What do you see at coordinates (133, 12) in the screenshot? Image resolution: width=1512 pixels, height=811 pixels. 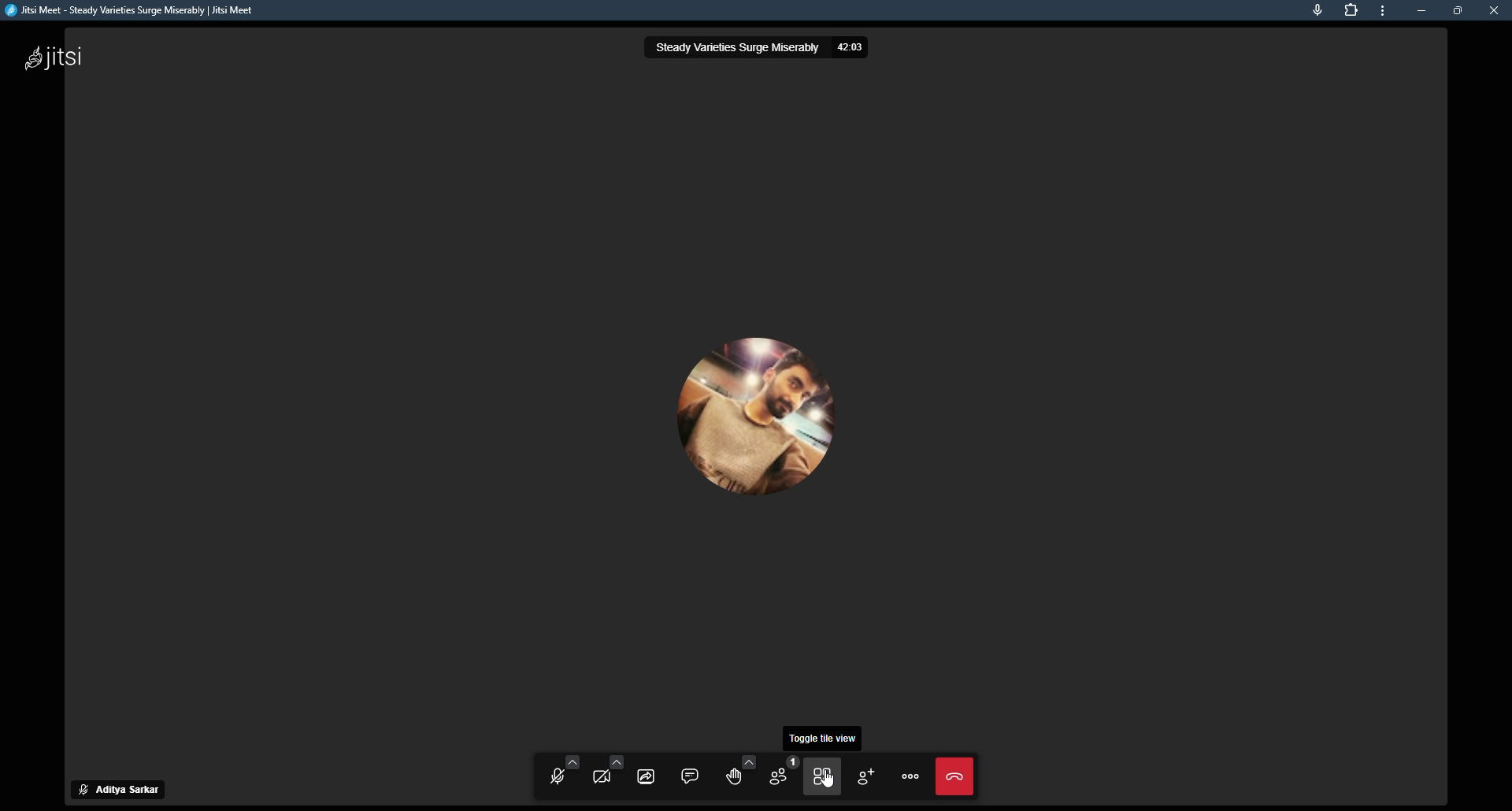 I see `jitsi meet` at bounding box center [133, 12].